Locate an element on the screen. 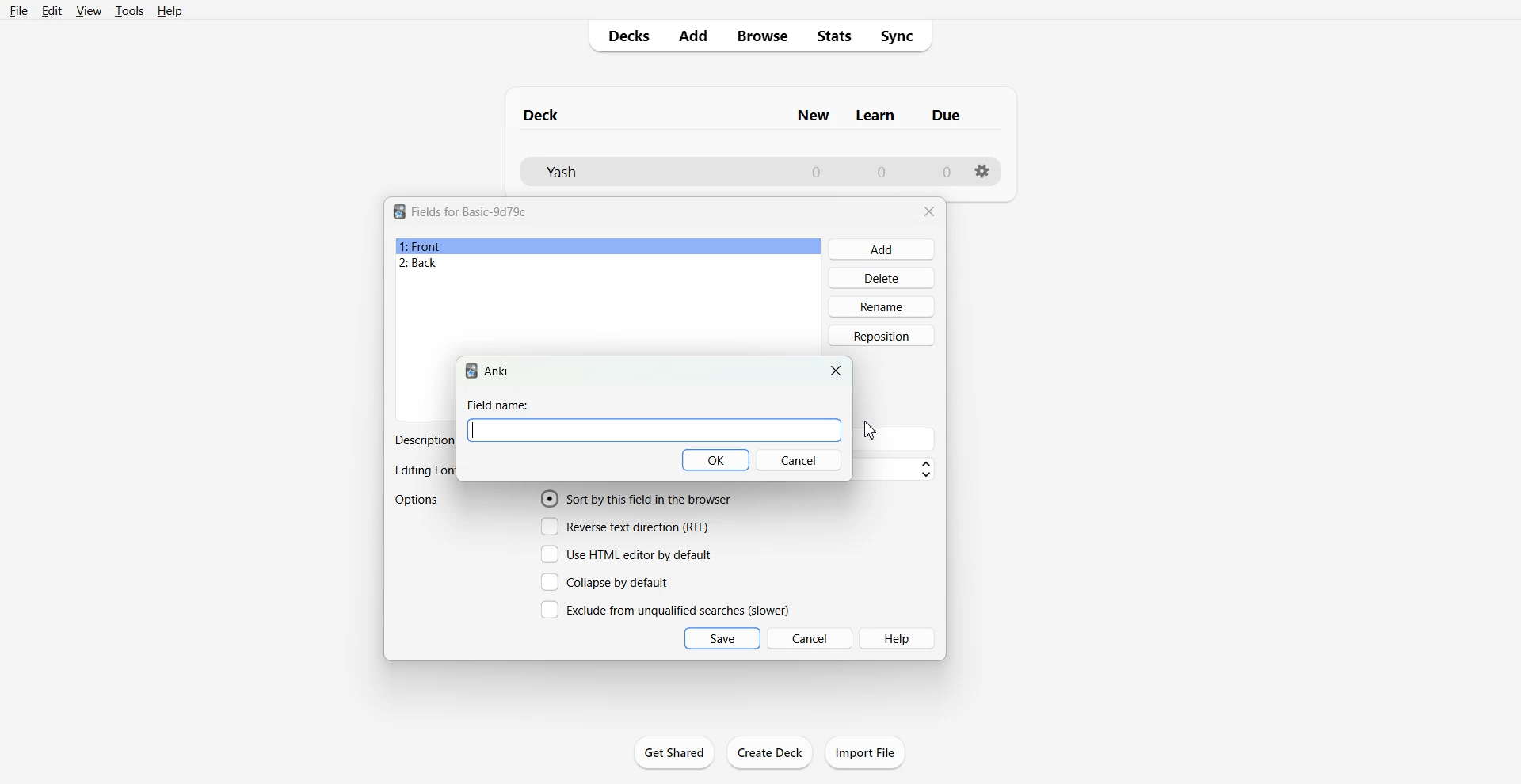 The height and width of the screenshot is (784, 1521). Deck File is located at coordinates (650, 172).